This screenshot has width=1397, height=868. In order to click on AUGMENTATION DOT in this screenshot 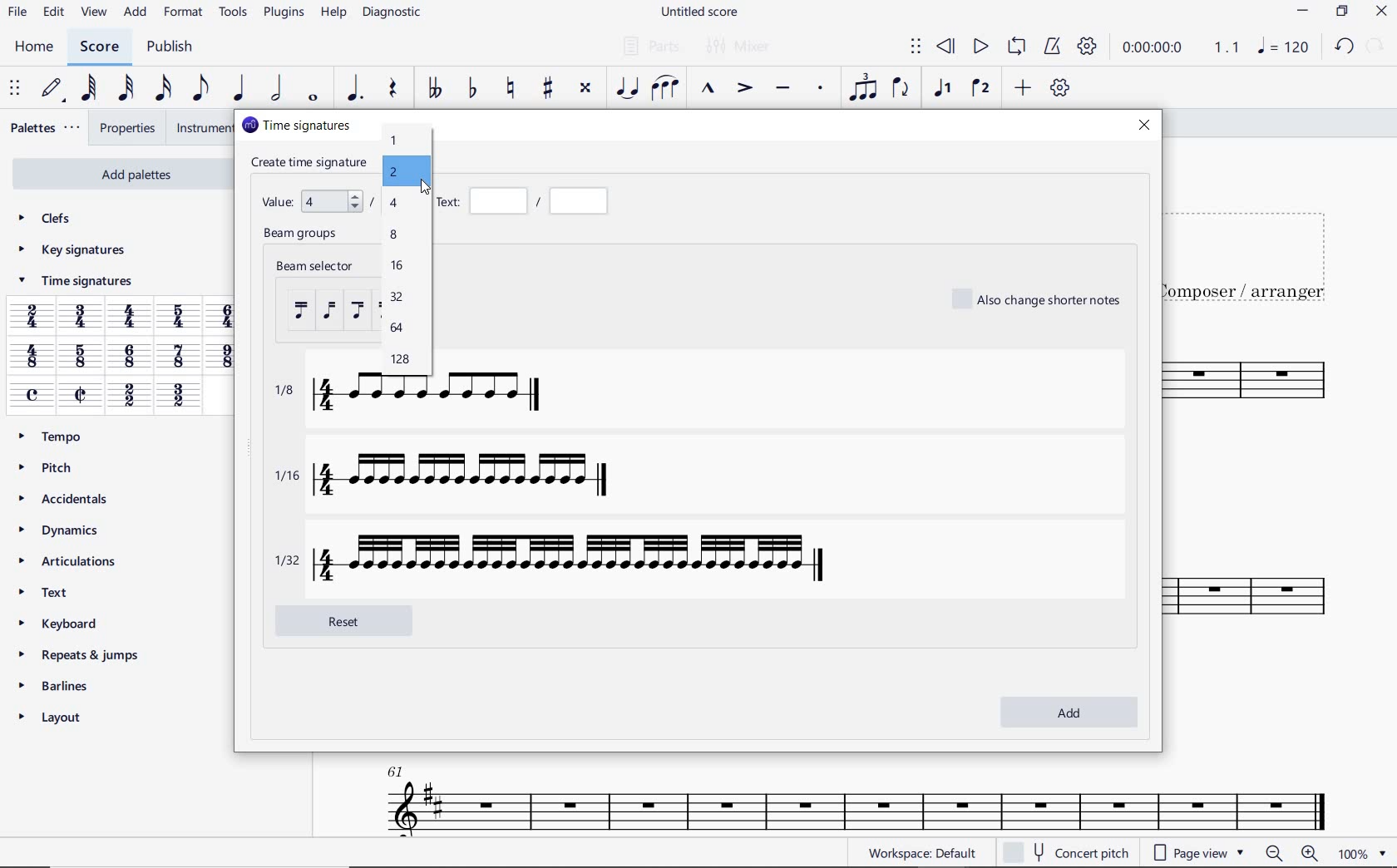, I will do `click(353, 89)`.